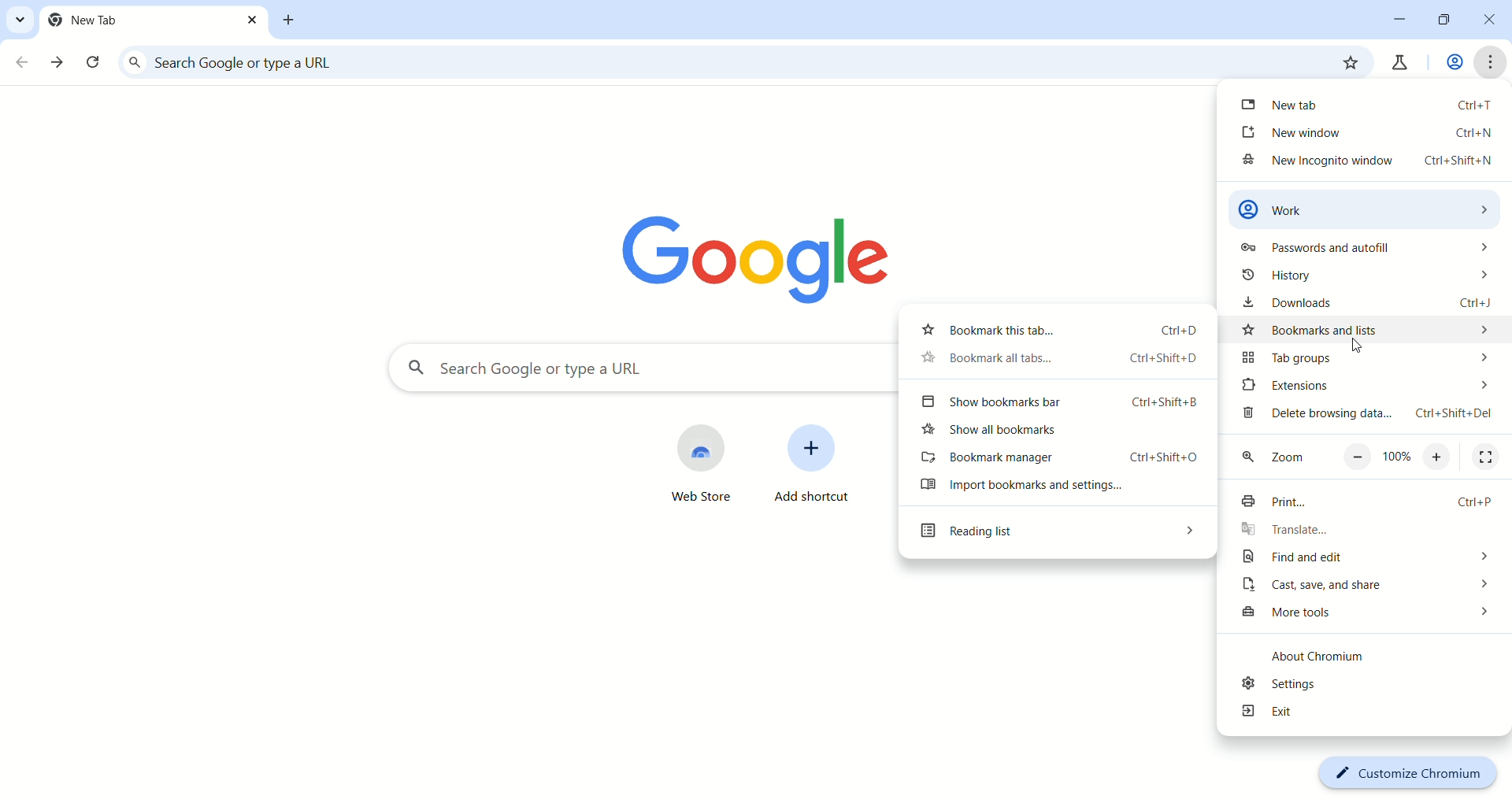 This screenshot has height=803, width=1512. What do you see at coordinates (766, 253) in the screenshot?
I see `google` at bounding box center [766, 253].